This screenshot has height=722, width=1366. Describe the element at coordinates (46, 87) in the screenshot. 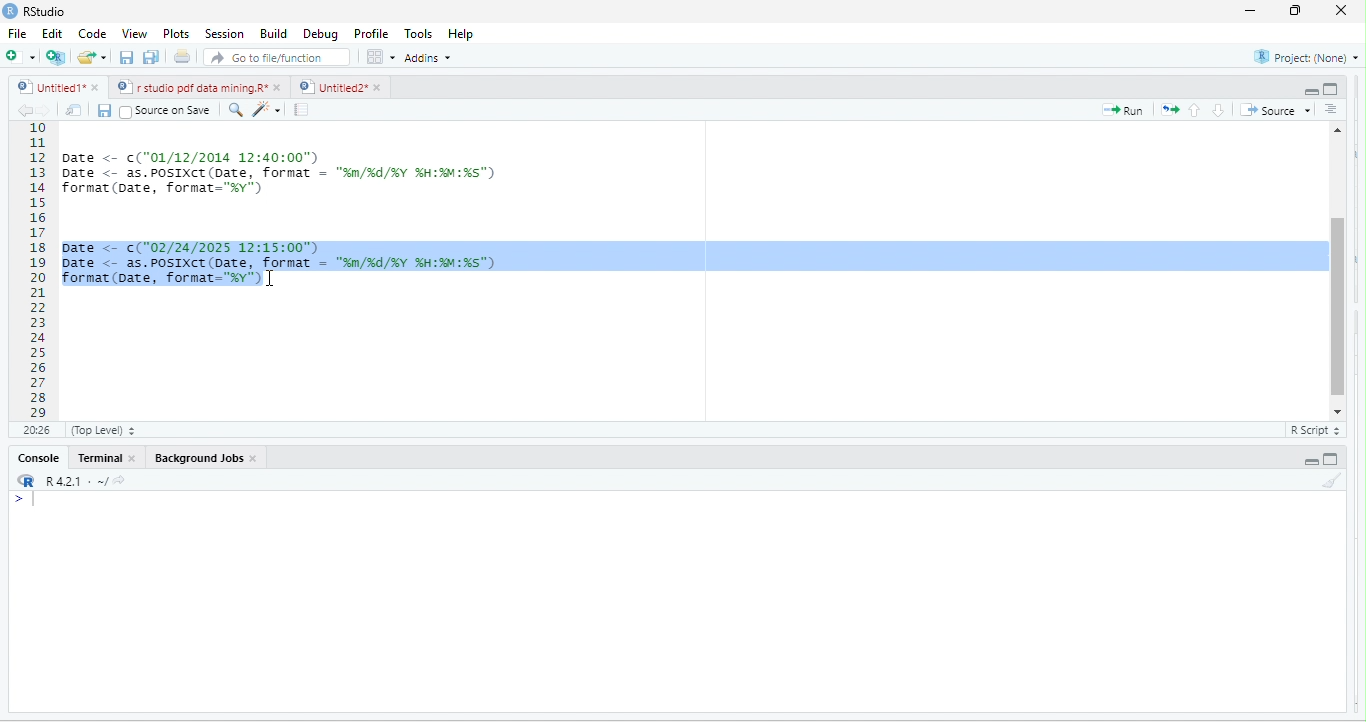

I see ` Untitled1` at that location.